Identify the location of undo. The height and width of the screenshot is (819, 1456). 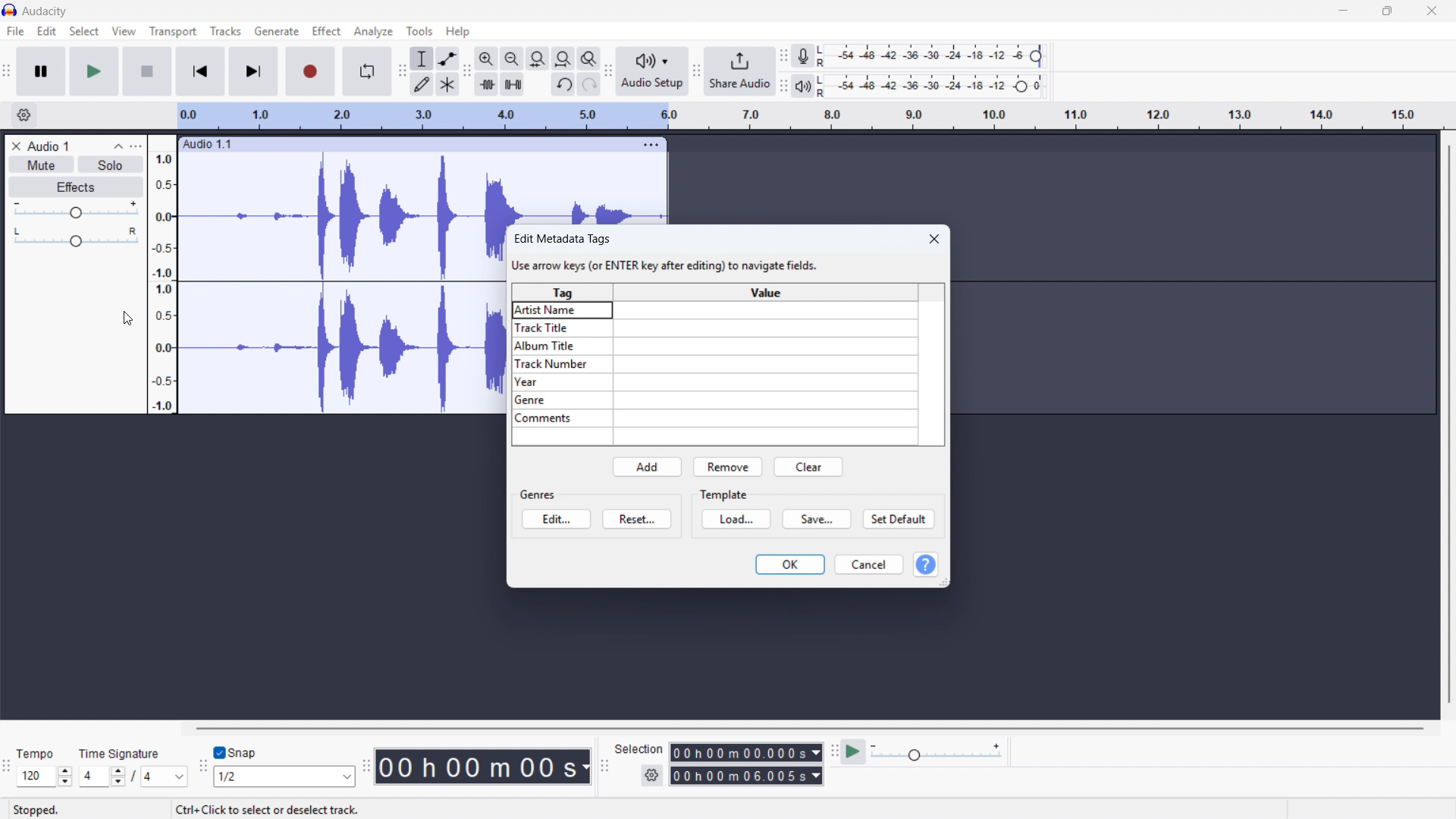
(563, 85).